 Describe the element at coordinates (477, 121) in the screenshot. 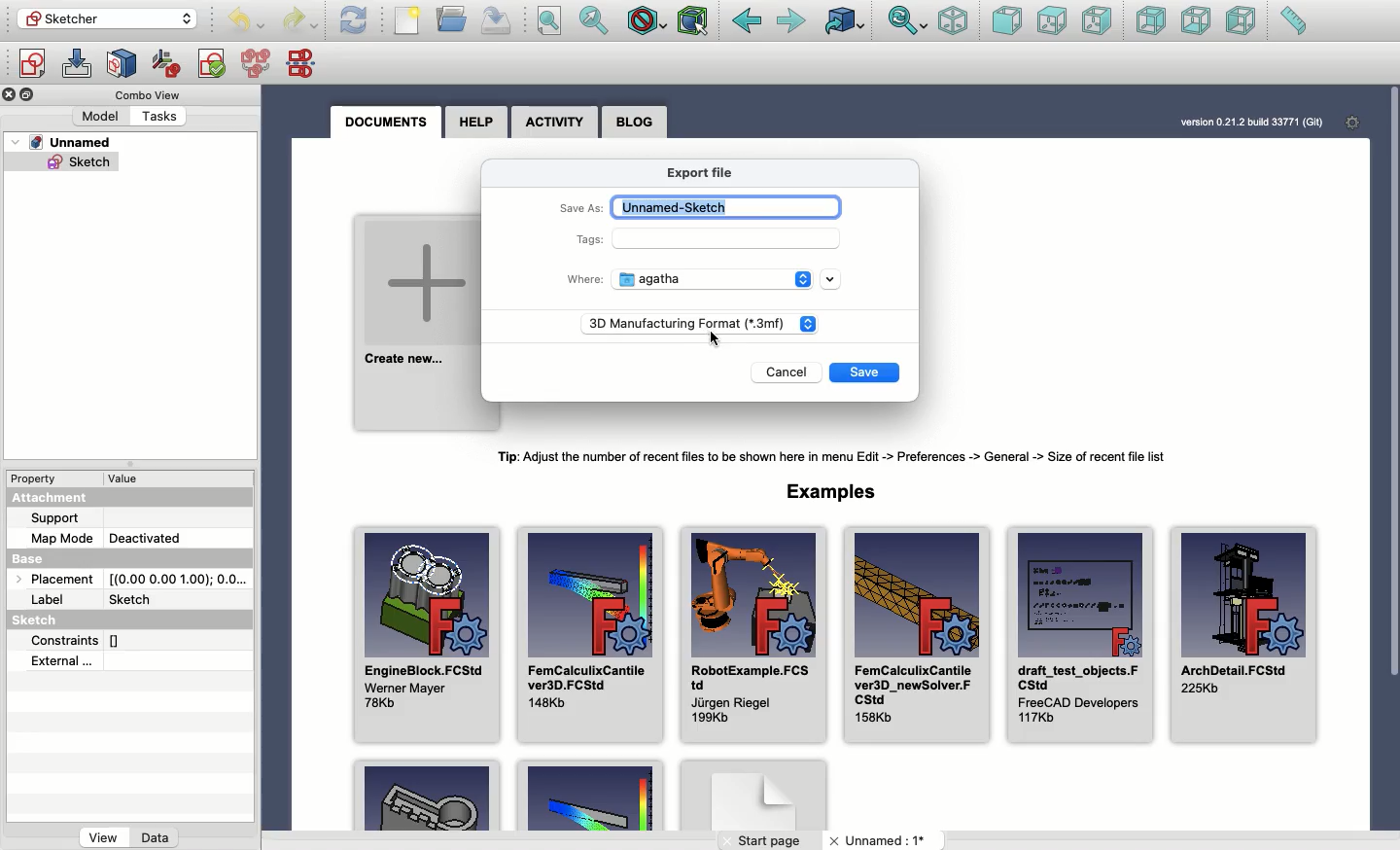

I see `Help` at that location.